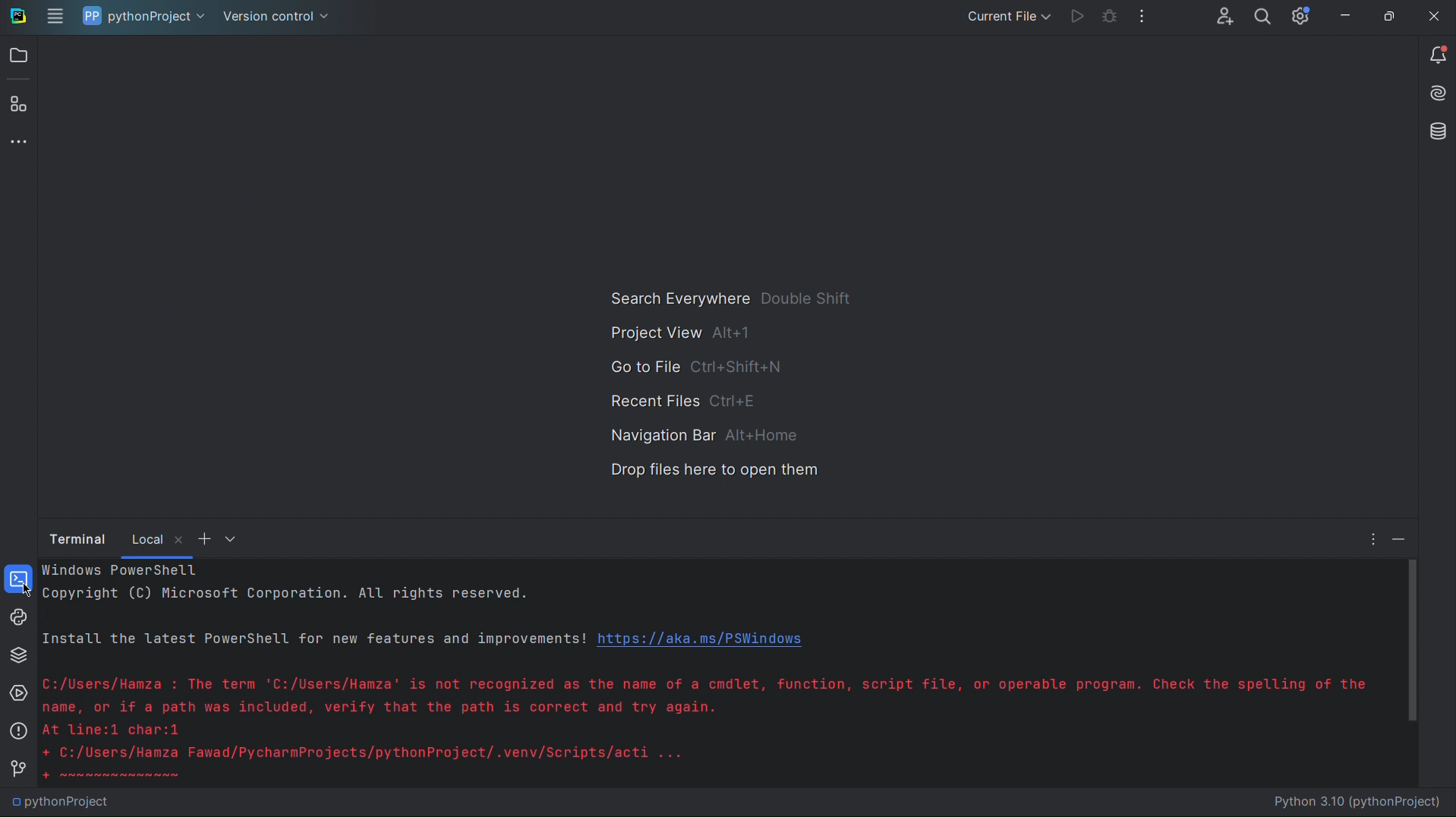  I want to click on More, so click(1374, 536).